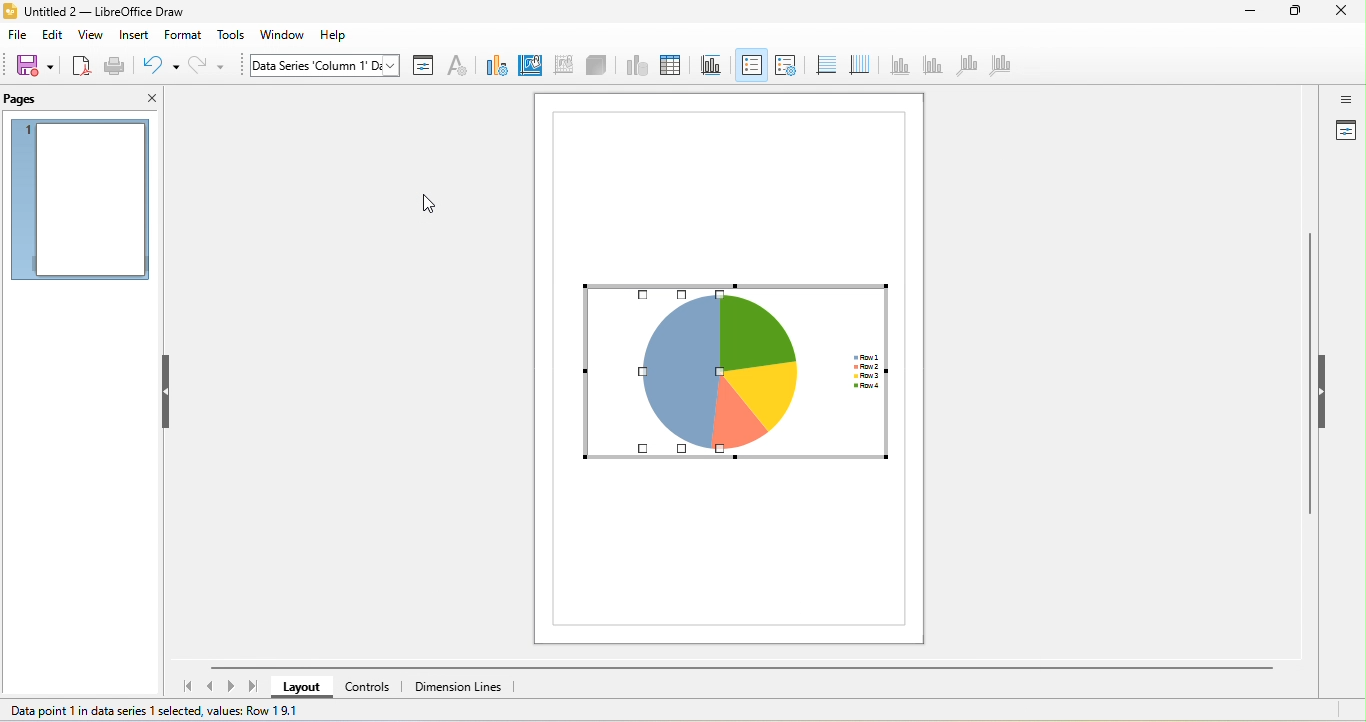 This screenshot has height=722, width=1366. Describe the element at coordinates (1343, 12) in the screenshot. I see `close` at that location.